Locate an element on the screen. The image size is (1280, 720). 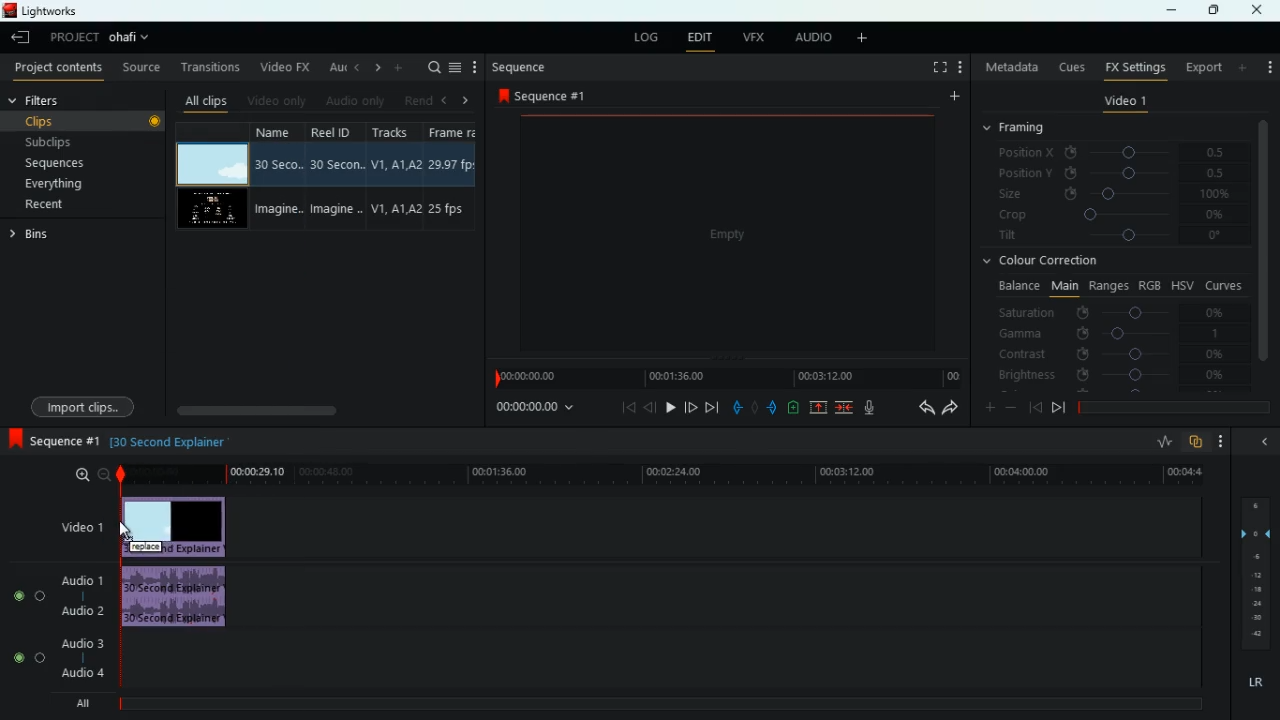
beggining is located at coordinates (1034, 406).